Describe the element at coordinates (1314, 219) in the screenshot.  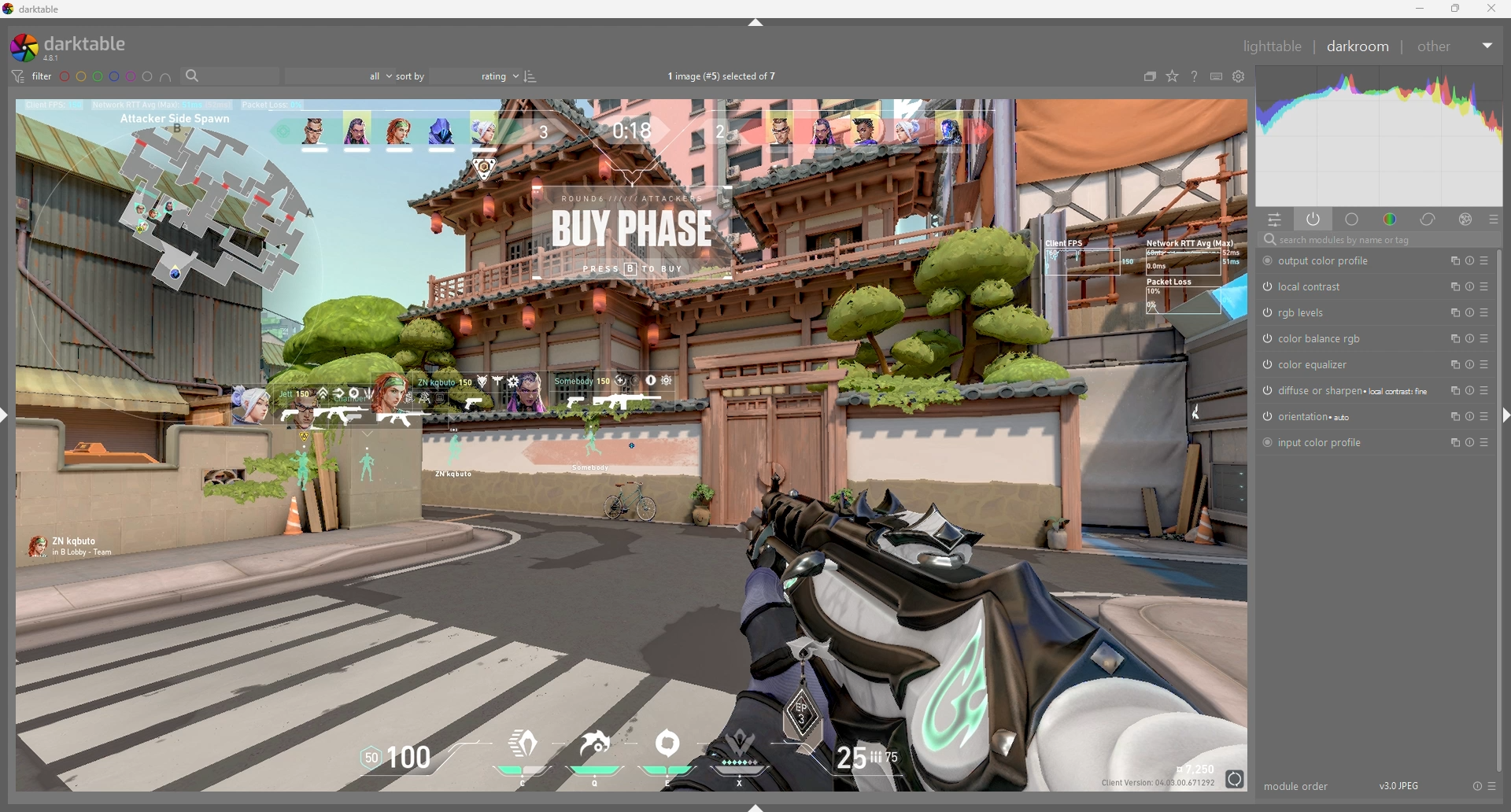
I see `show active modules` at that location.